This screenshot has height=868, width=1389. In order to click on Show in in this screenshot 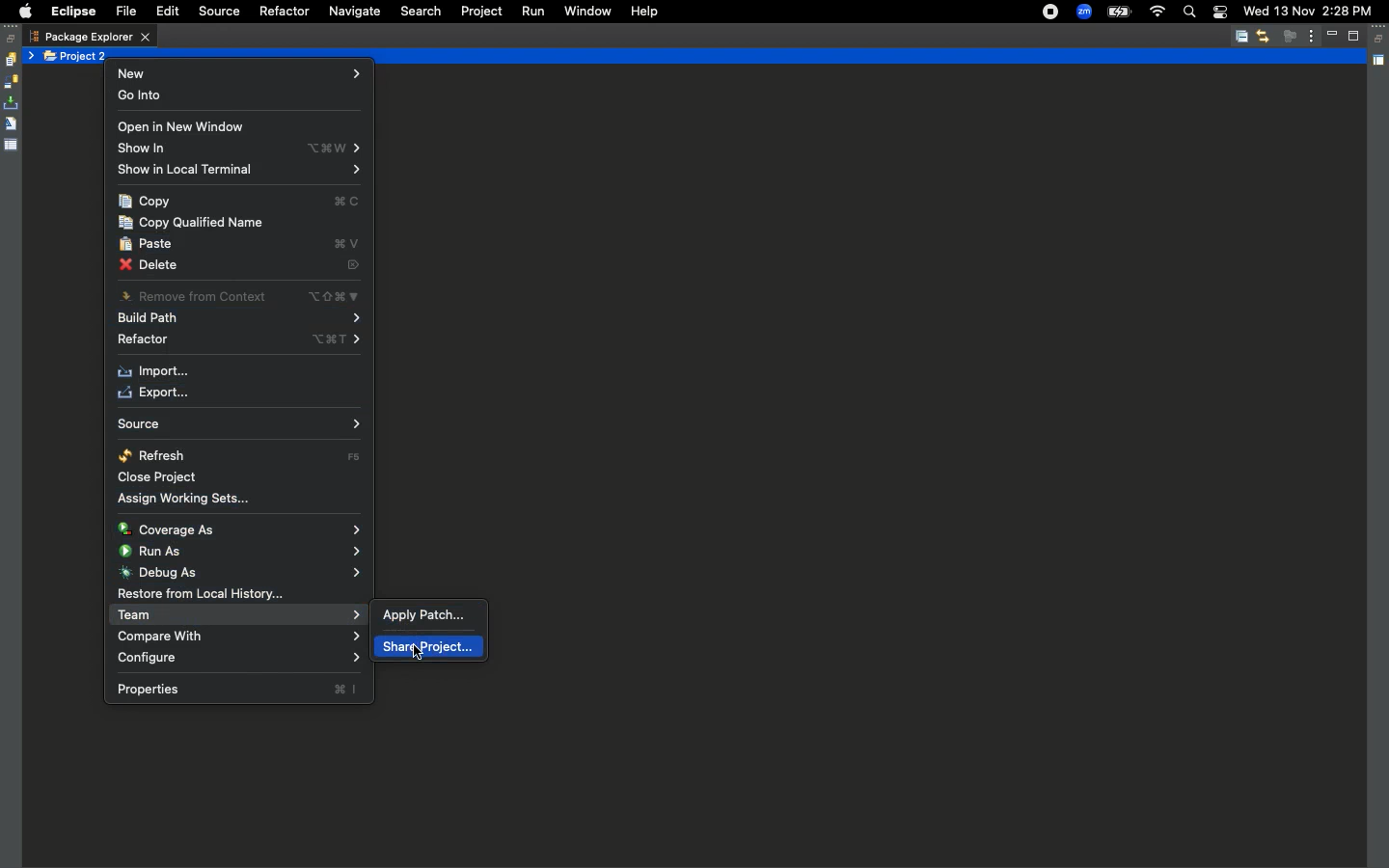, I will do `click(242, 149)`.